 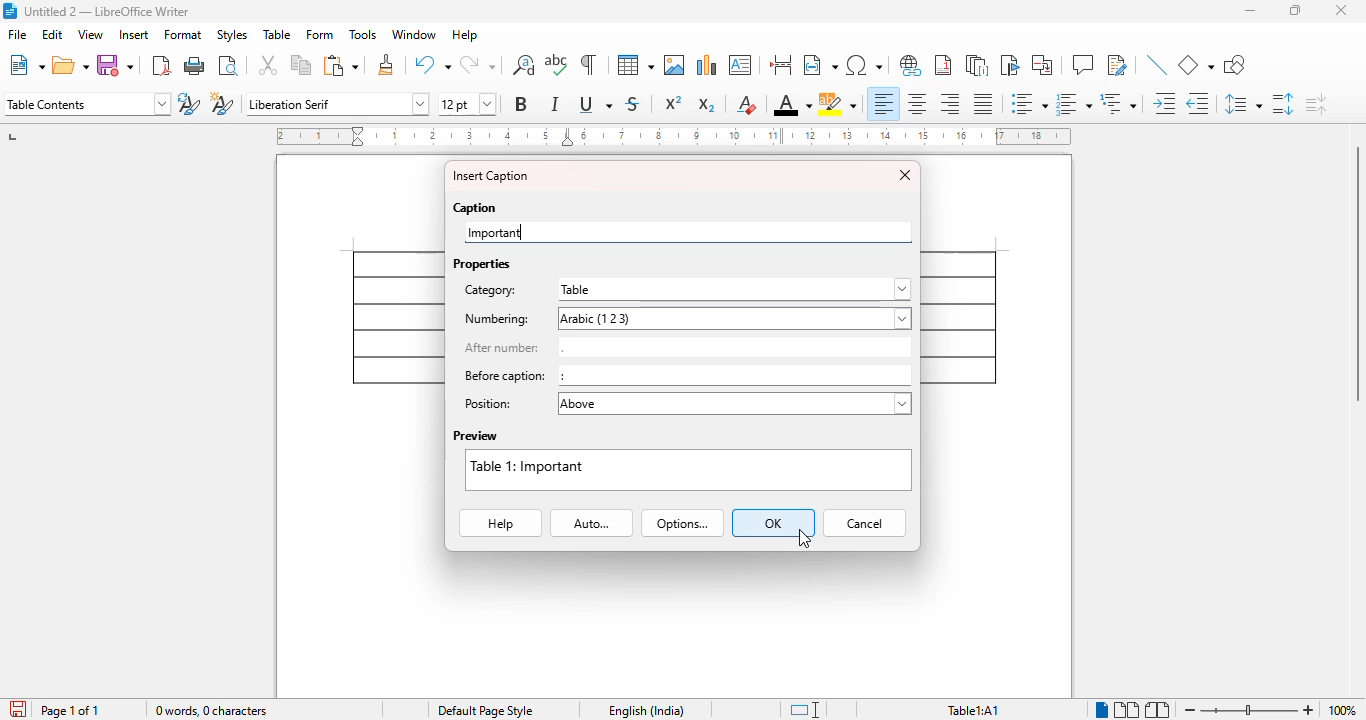 What do you see at coordinates (689, 469) in the screenshot?
I see `change in preview box` at bounding box center [689, 469].